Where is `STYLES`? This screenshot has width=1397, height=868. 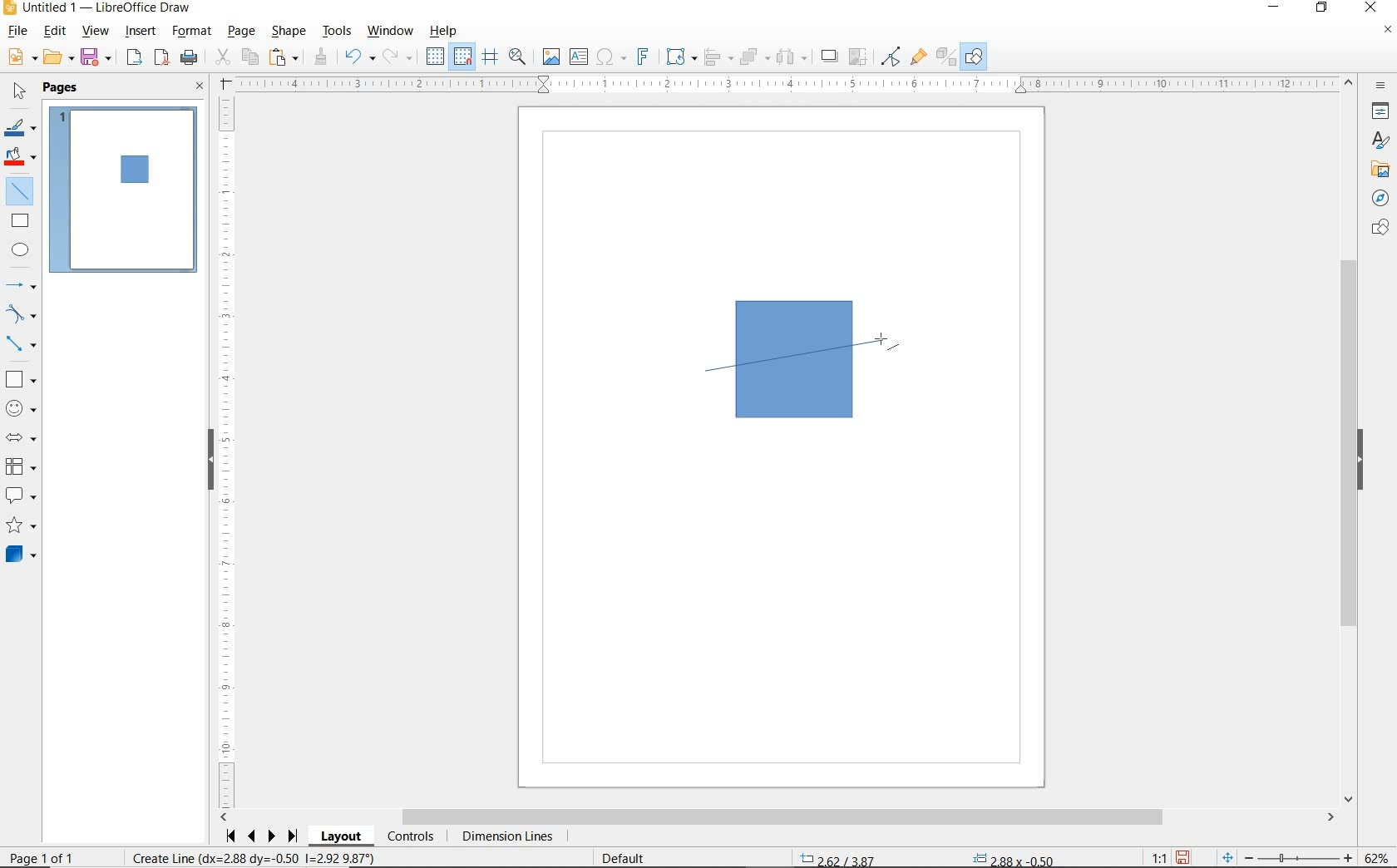 STYLES is located at coordinates (1376, 141).